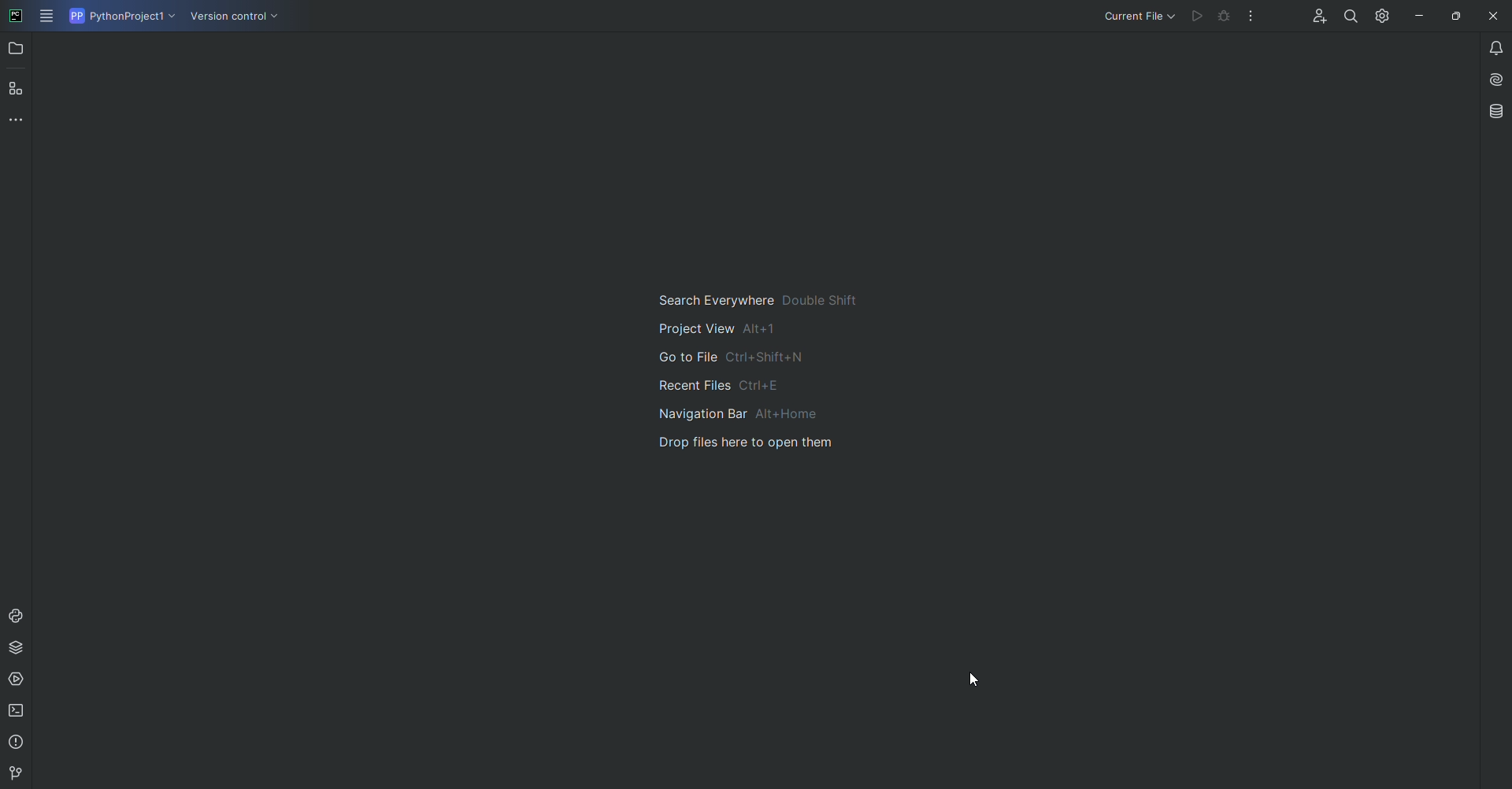 This screenshot has height=789, width=1512. Describe the element at coordinates (17, 50) in the screenshot. I see `Project` at that location.